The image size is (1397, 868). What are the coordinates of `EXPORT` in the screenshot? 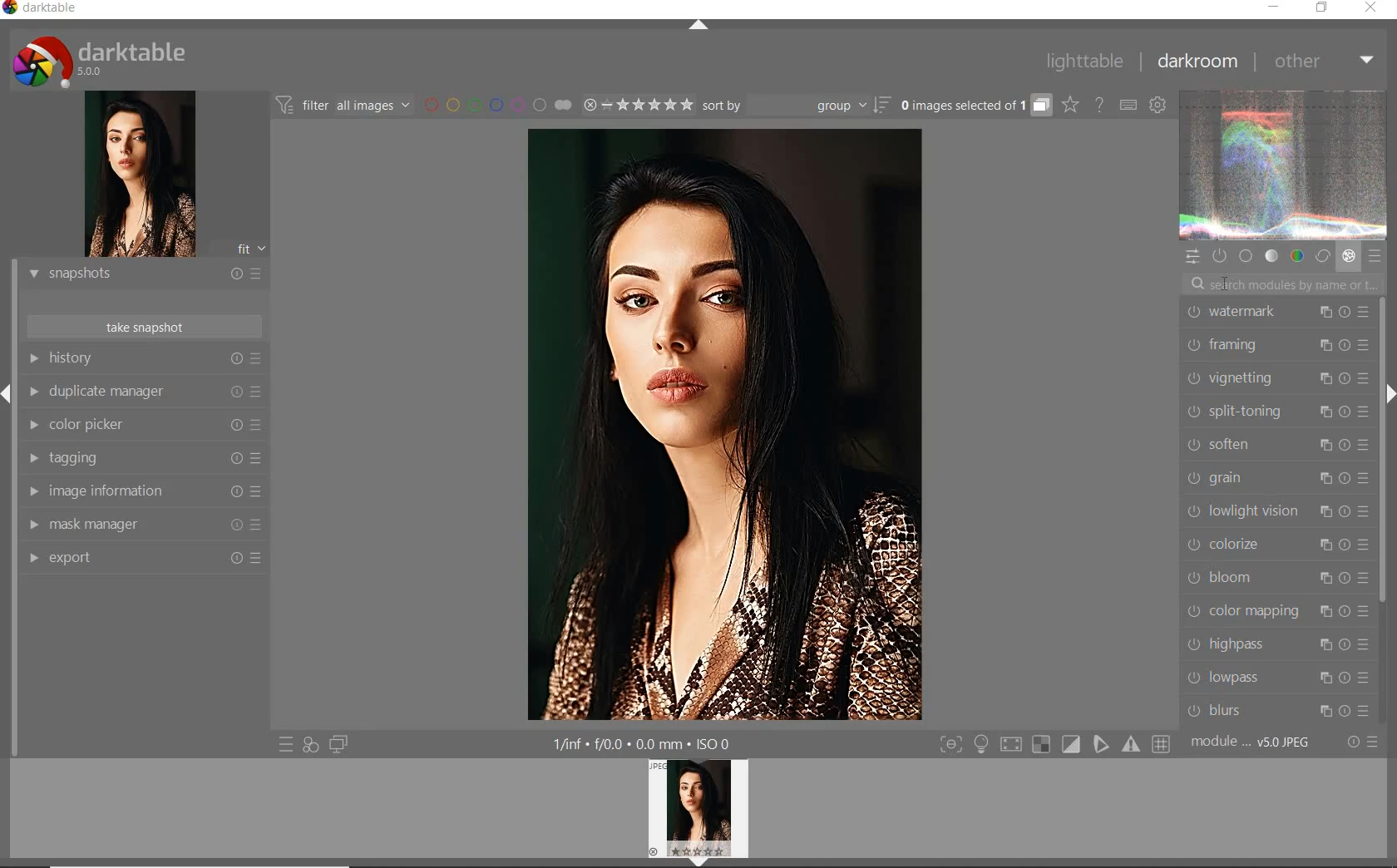 It's located at (140, 559).